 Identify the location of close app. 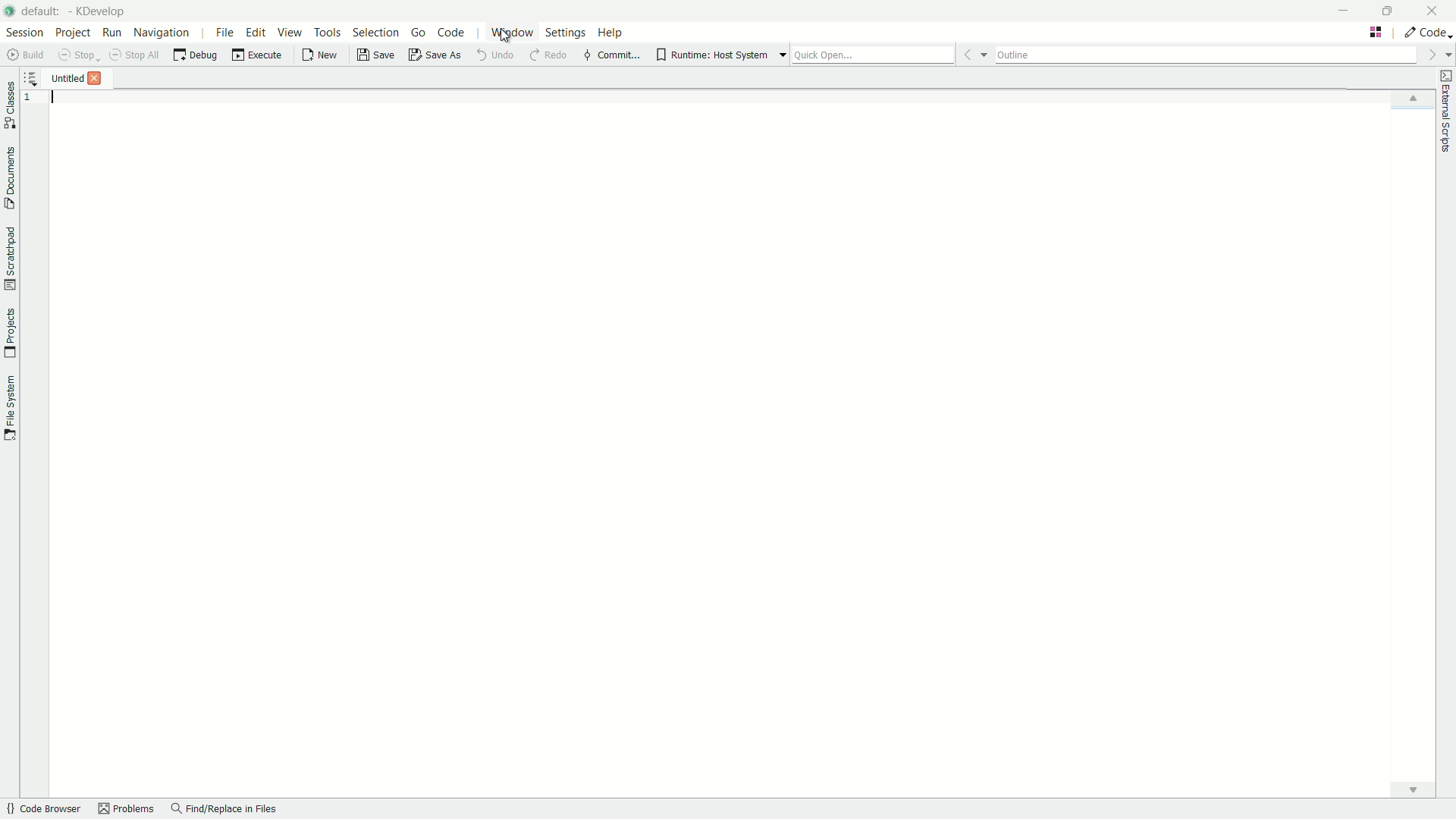
(1436, 11).